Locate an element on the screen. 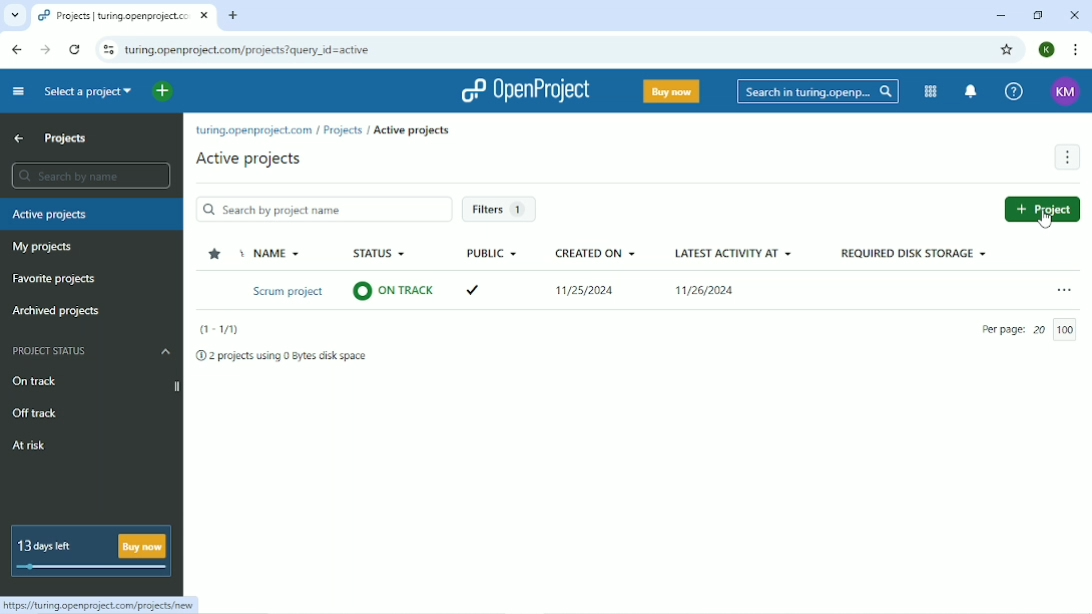  Reload this page is located at coordinates (74, 49).